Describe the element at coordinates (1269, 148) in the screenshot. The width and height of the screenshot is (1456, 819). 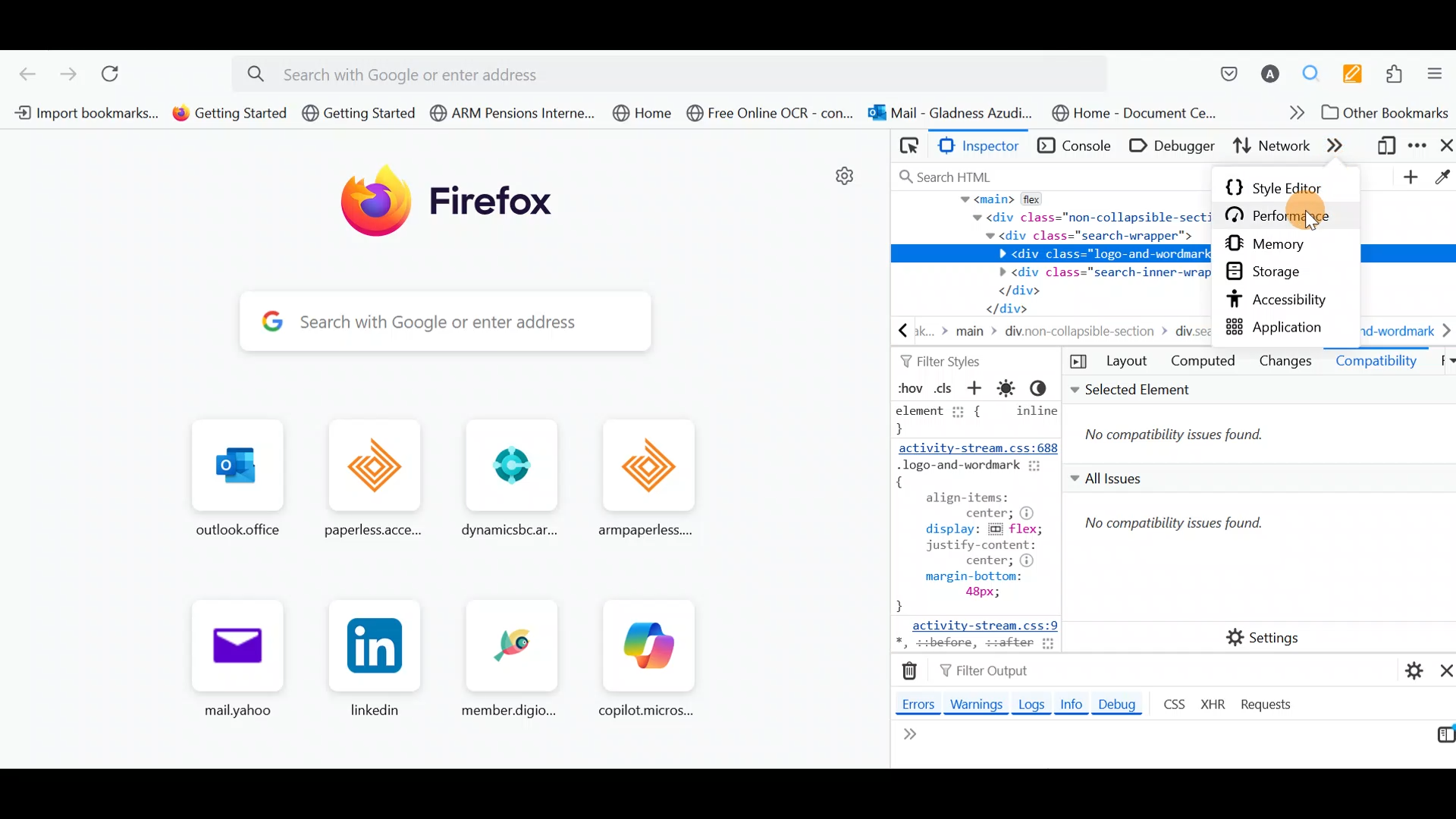
I see `Network` at that location.